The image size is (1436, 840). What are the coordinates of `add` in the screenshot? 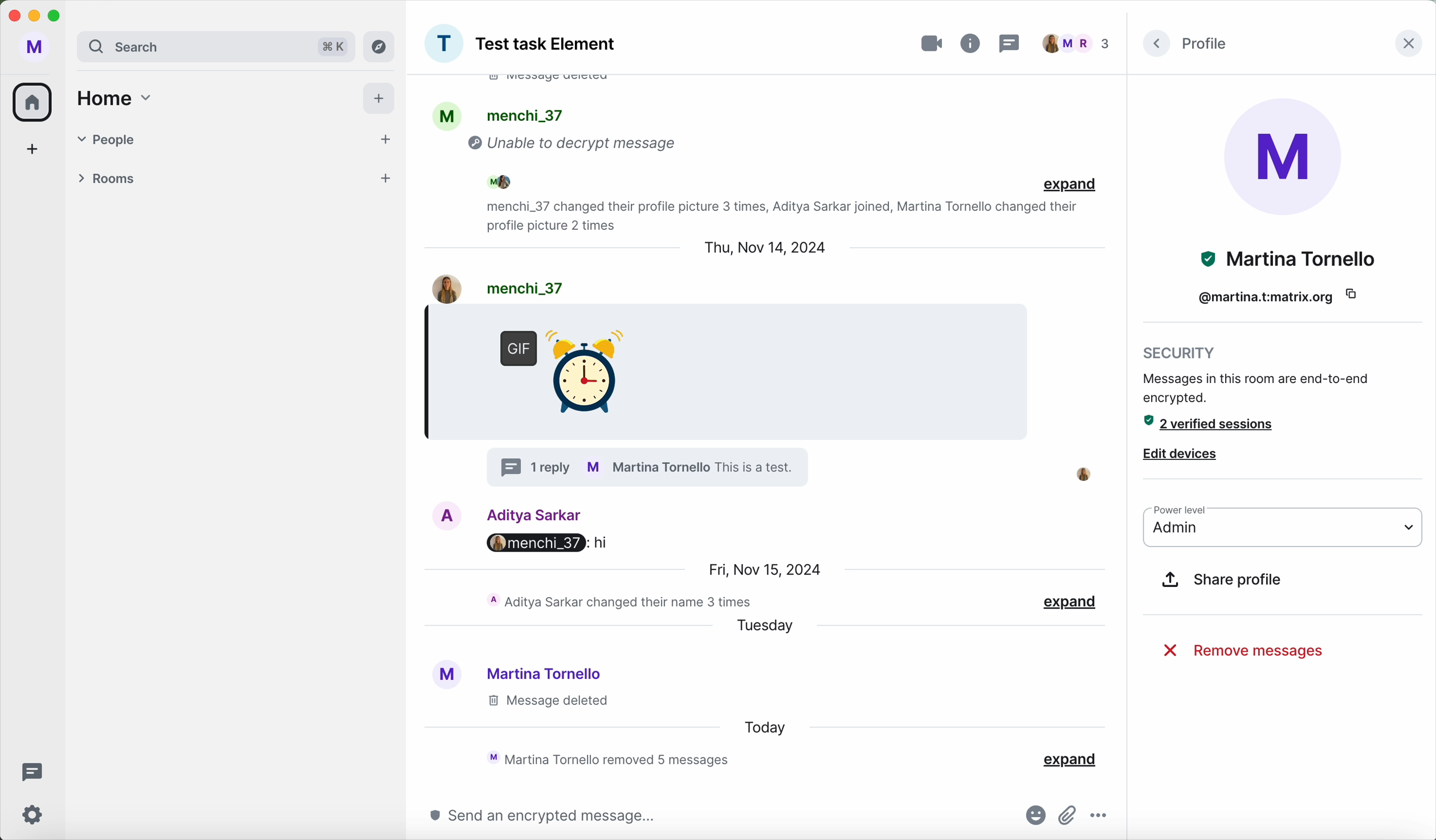 It's located at (382, 140).